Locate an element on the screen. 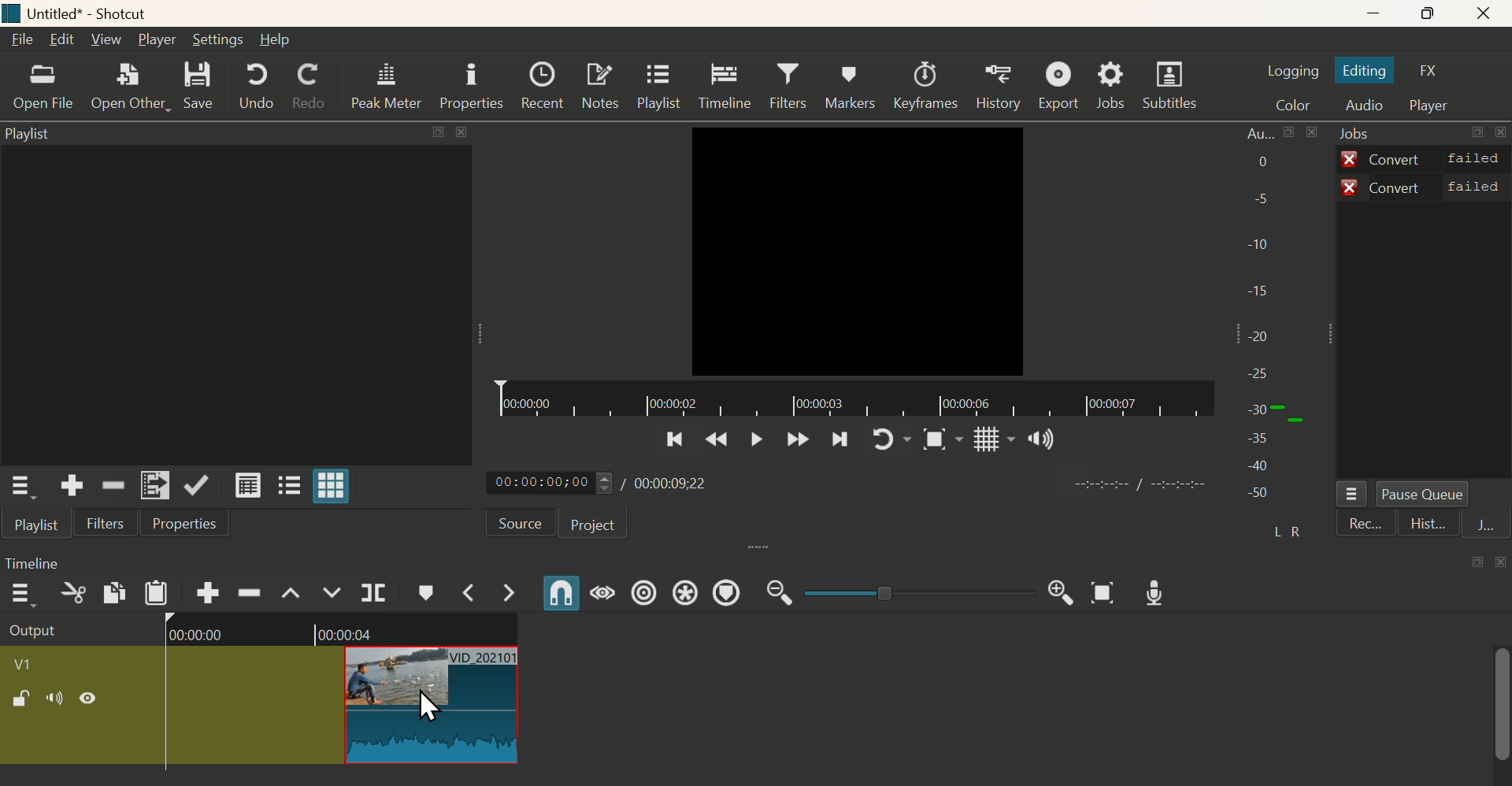 The width and height of the screenshot is (1512, 786). Snap is located at coordinates (939, 442).